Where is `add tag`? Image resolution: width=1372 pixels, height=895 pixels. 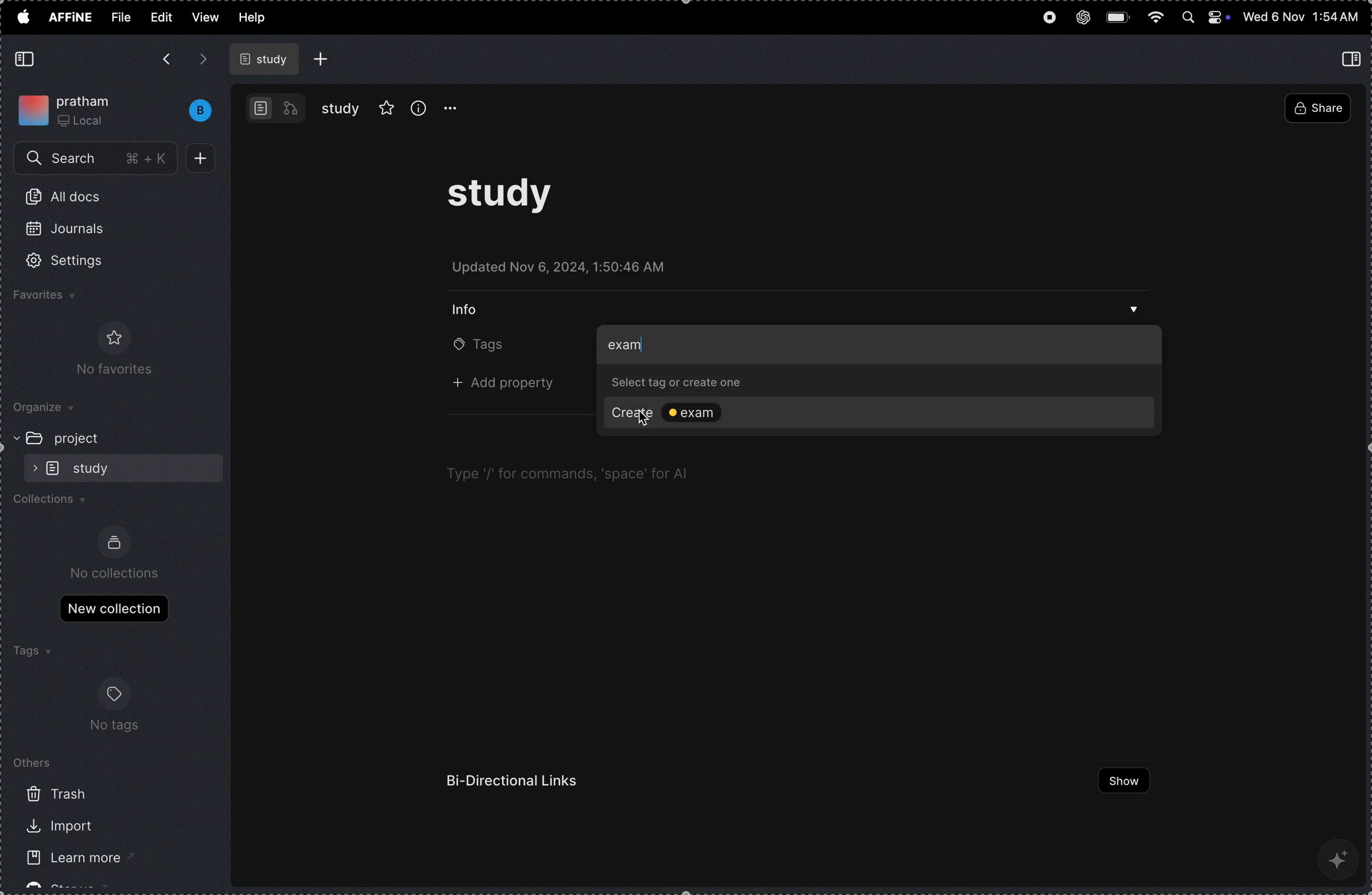
add tag is located at coordinates (876, 344).